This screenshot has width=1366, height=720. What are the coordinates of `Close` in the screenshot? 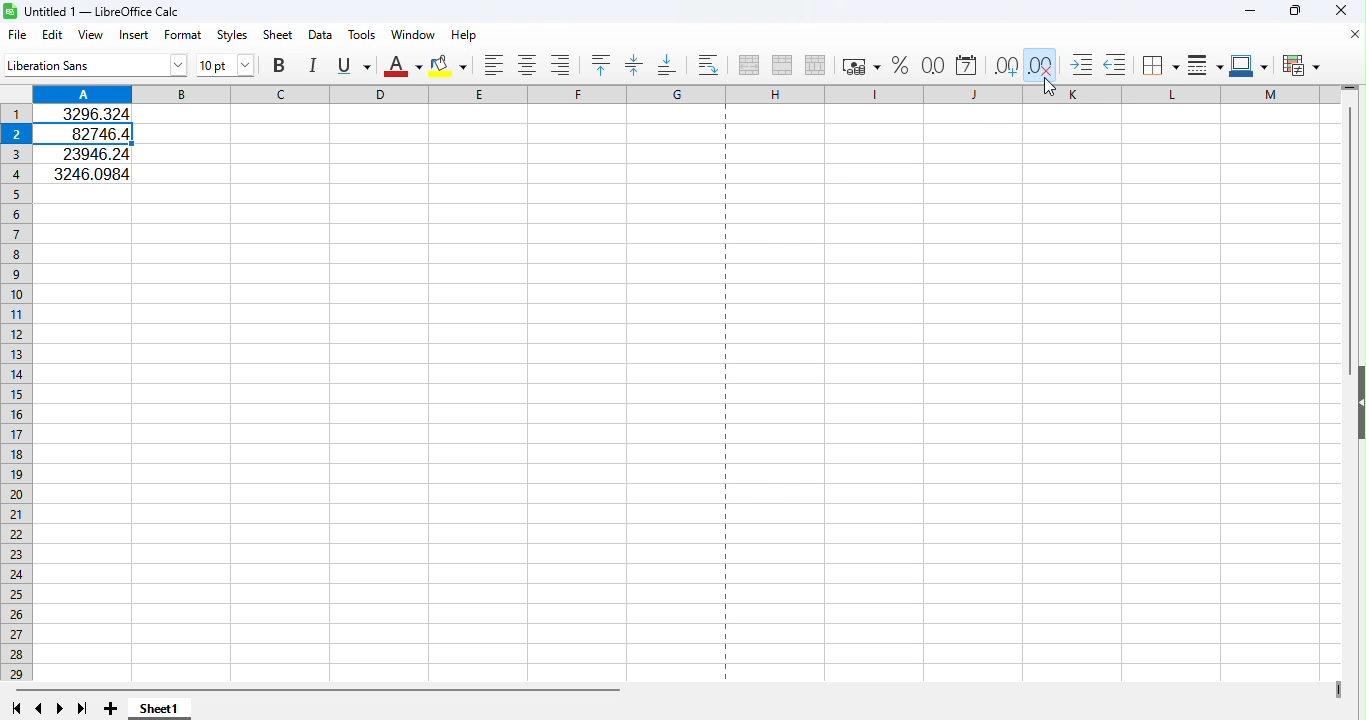 It's located at (1344, 13).